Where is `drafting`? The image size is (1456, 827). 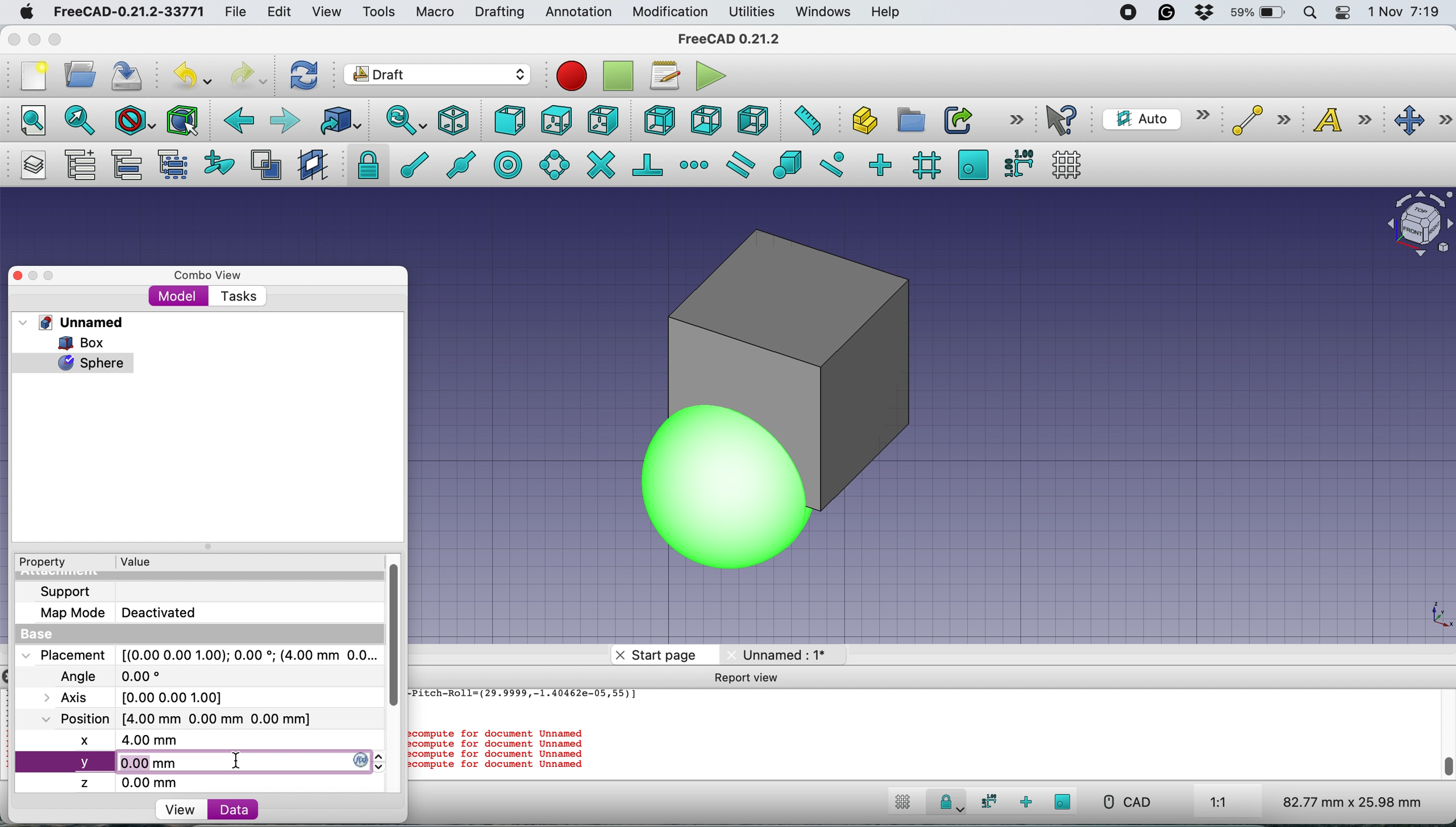
drafting is located at coordinates (499, 13).